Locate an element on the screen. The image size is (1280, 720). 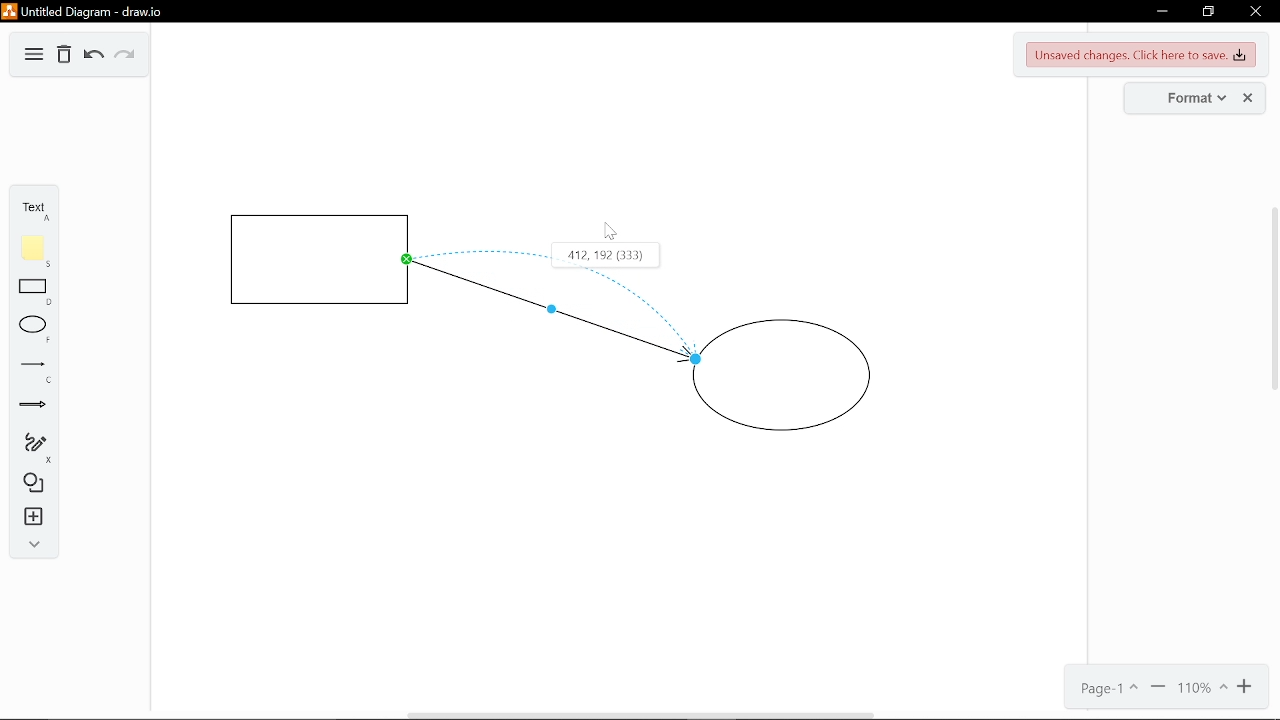
Close is located at coordinates (1257, 10).